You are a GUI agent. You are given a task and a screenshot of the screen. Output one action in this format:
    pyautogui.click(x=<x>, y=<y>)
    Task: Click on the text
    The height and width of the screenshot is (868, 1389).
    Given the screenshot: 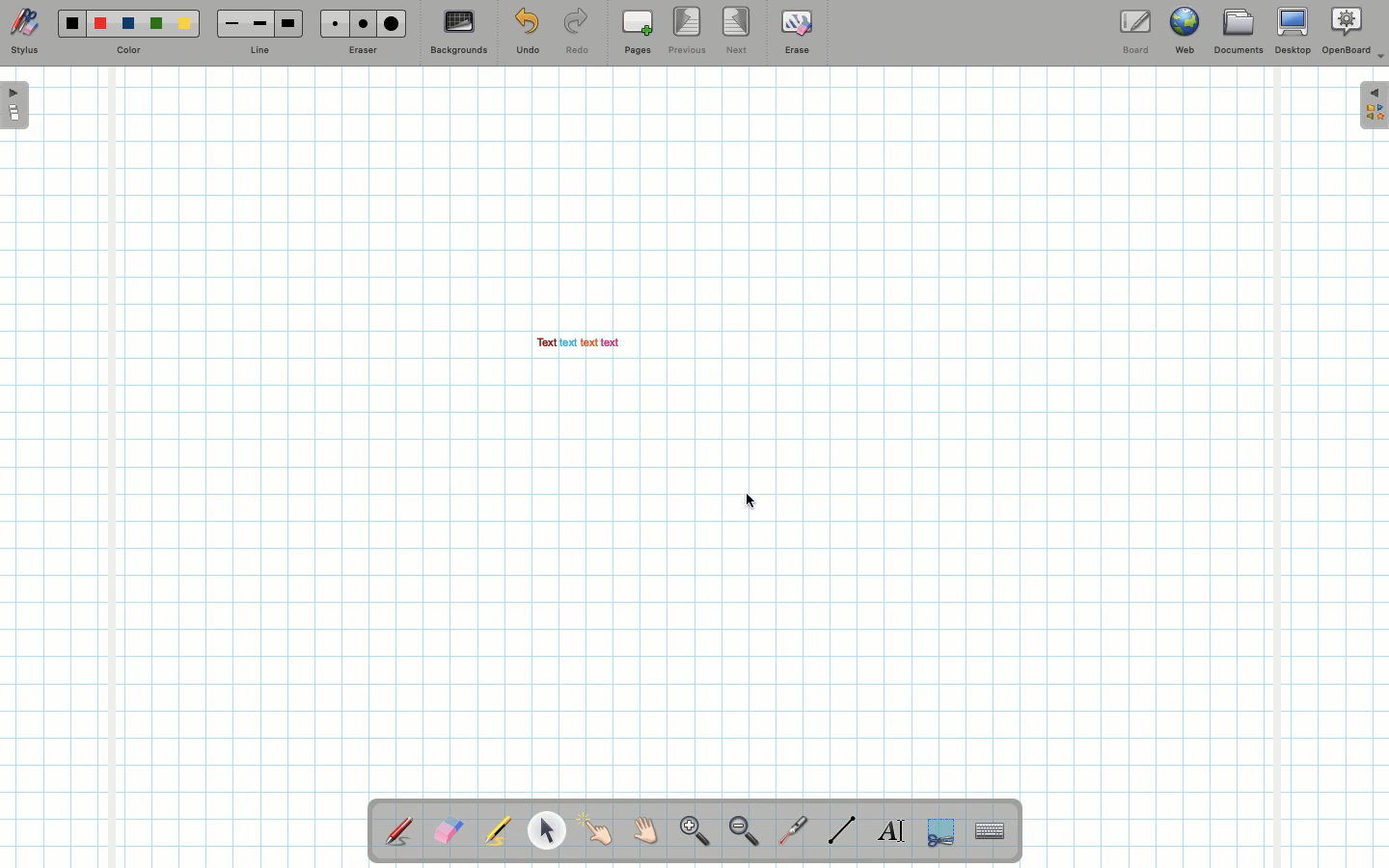 What is the action you would take?
    pyautogui.click(x=611, y=343)
    